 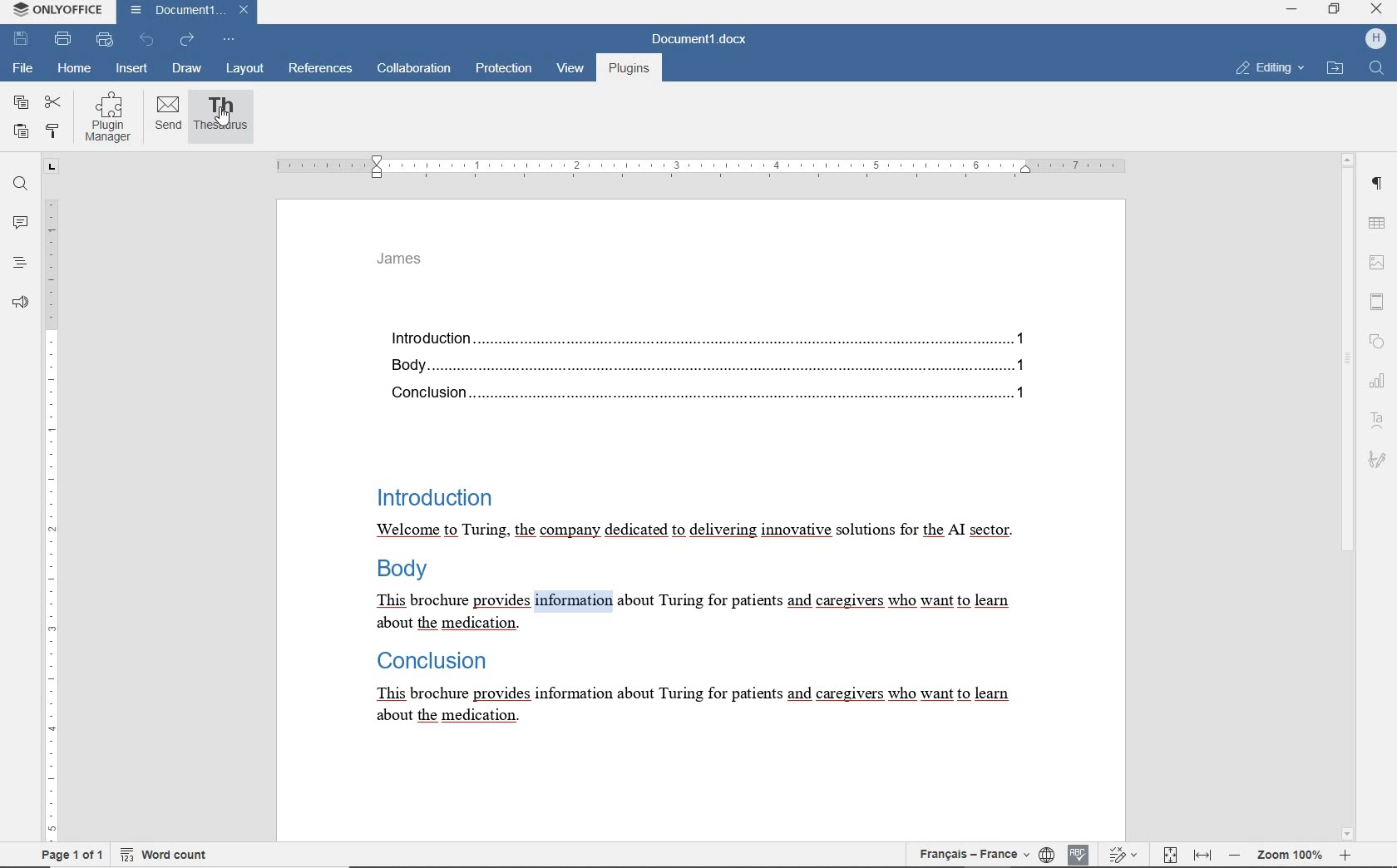 I want to click on PROTECTION, so click(x=503, y=70).